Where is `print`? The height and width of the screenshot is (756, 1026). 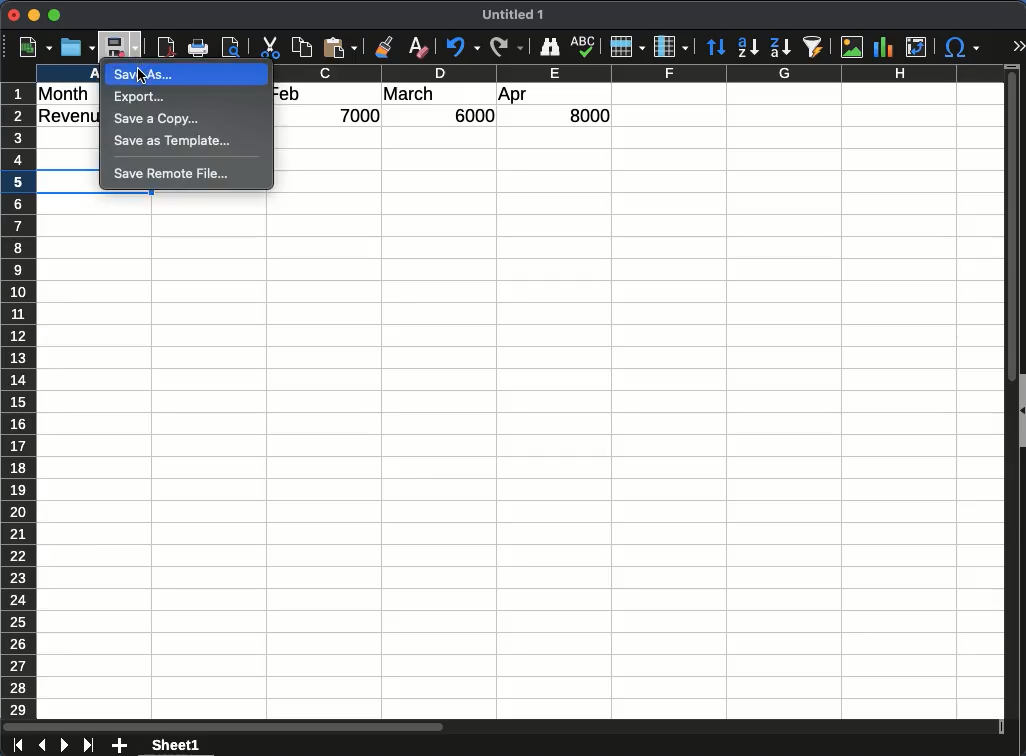
print is located at coordinates (199, 48).